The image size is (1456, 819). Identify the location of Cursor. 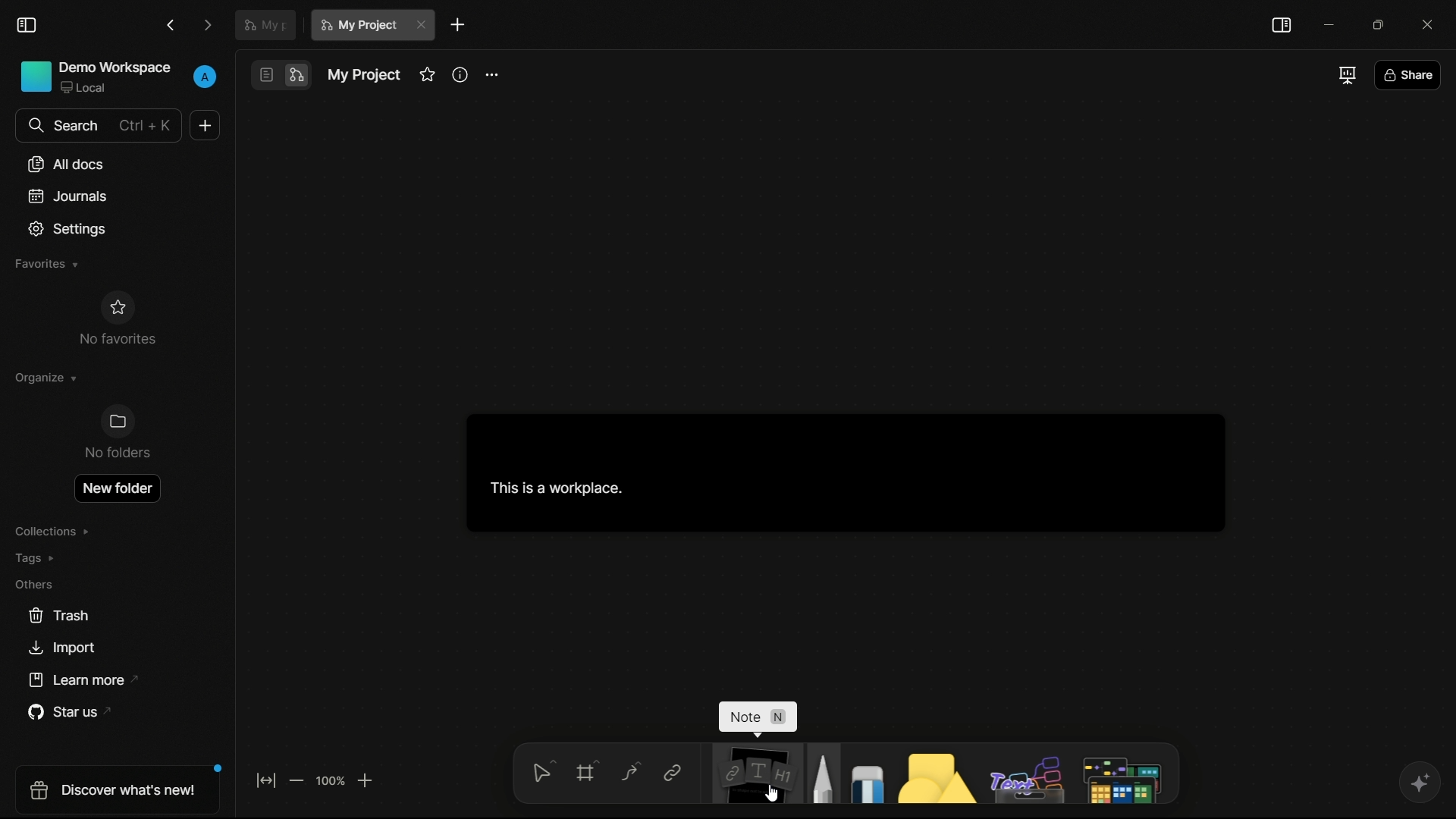
(779, 793).